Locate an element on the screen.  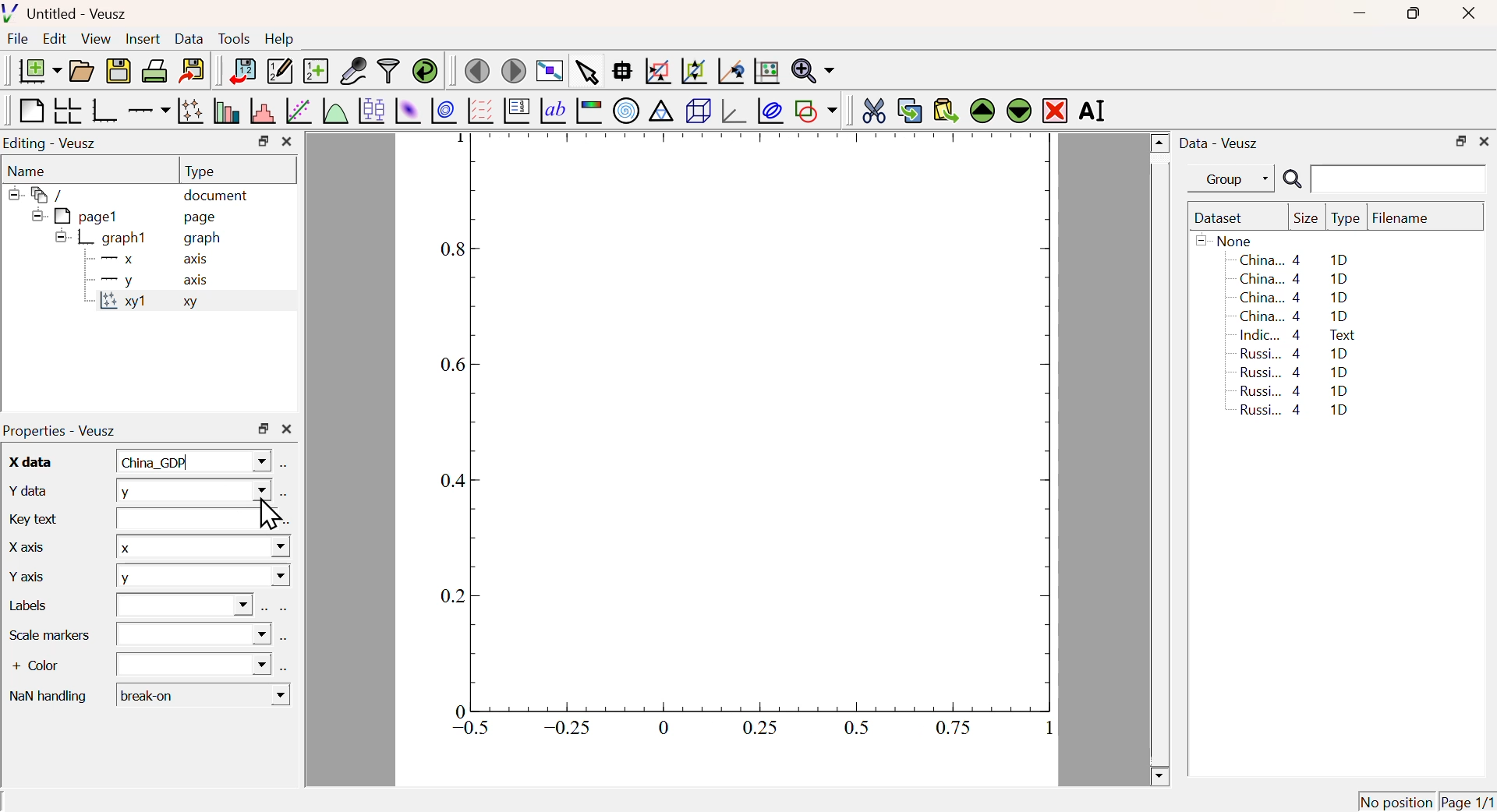
New Document is located at coordinates (39, 71).